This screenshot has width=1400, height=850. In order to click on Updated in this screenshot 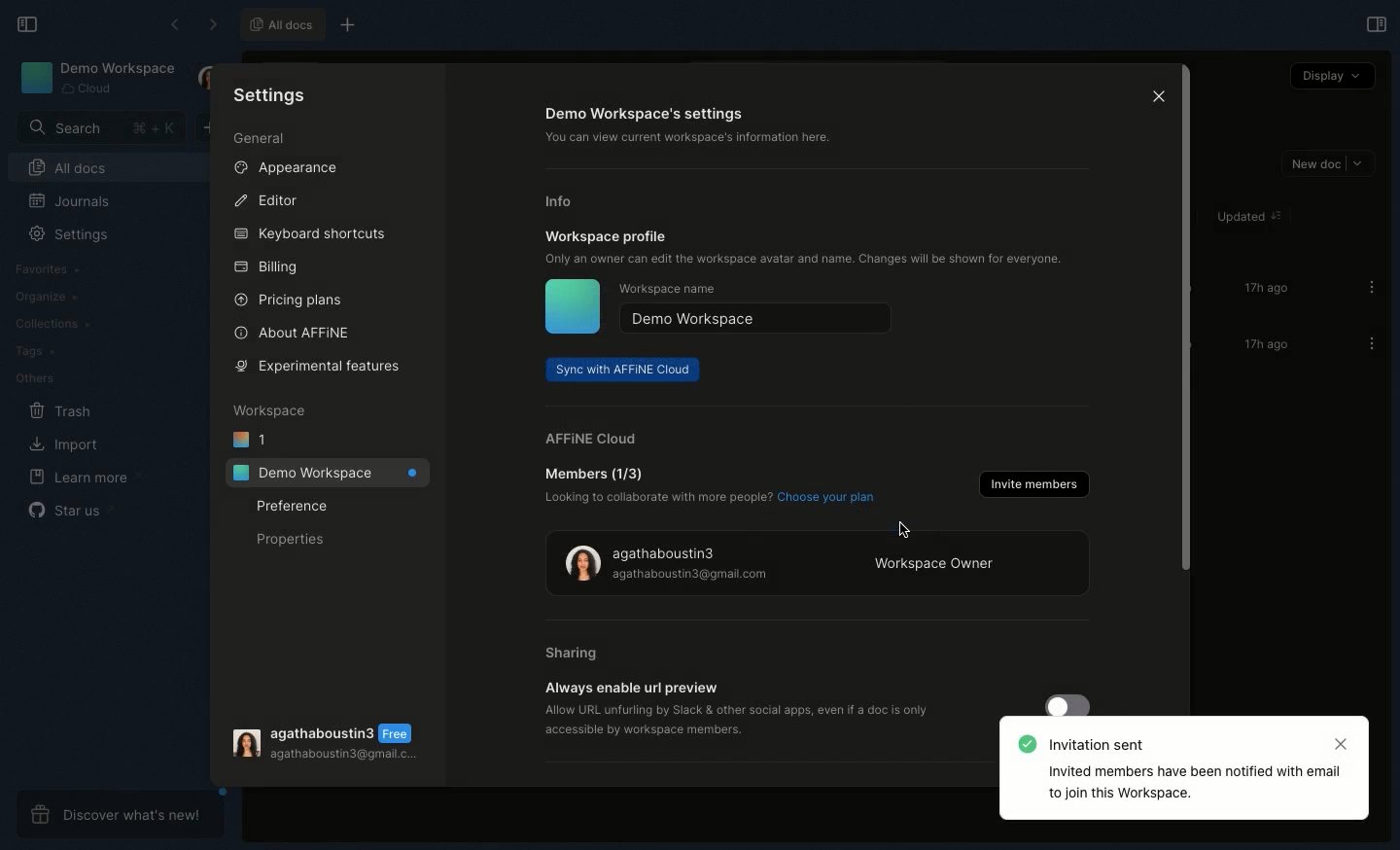, I will do `click(1246, 217)`.